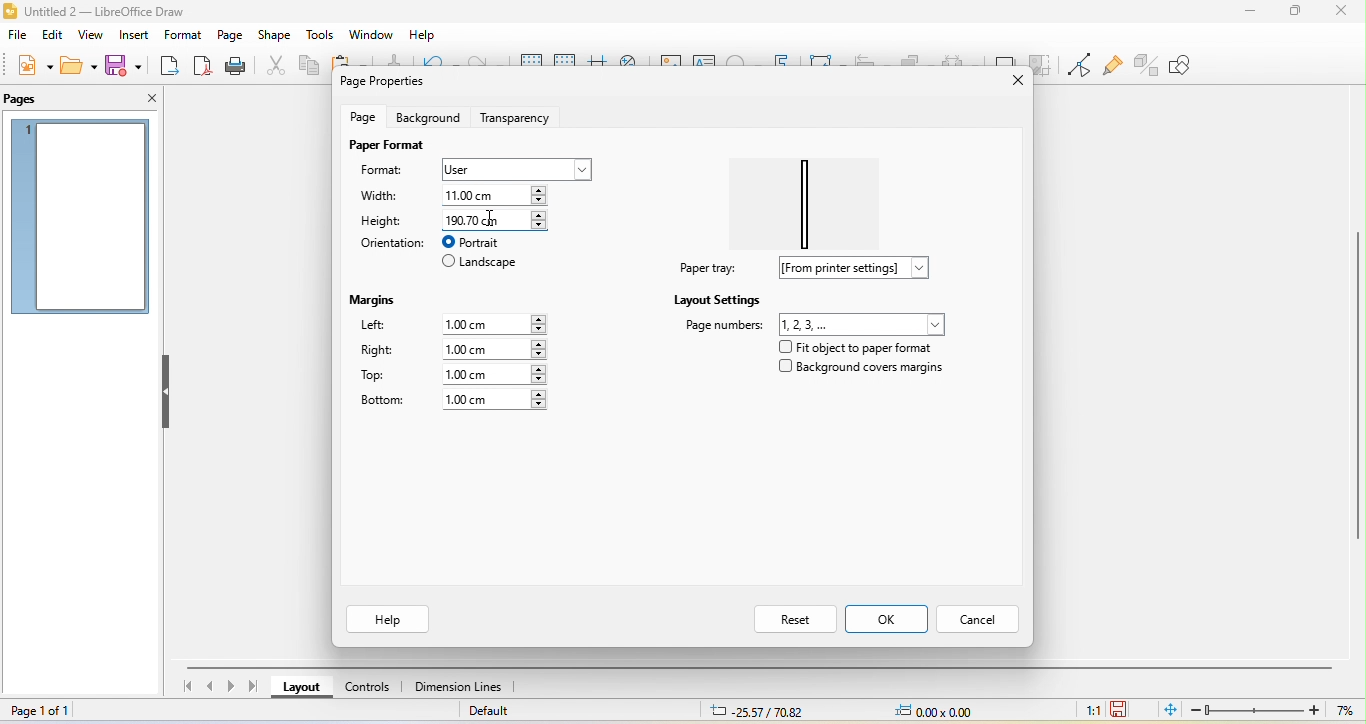  What do you see at coordinates (812, 197) in the screenshot?
I see `paper` at bounding box center [812, 197].